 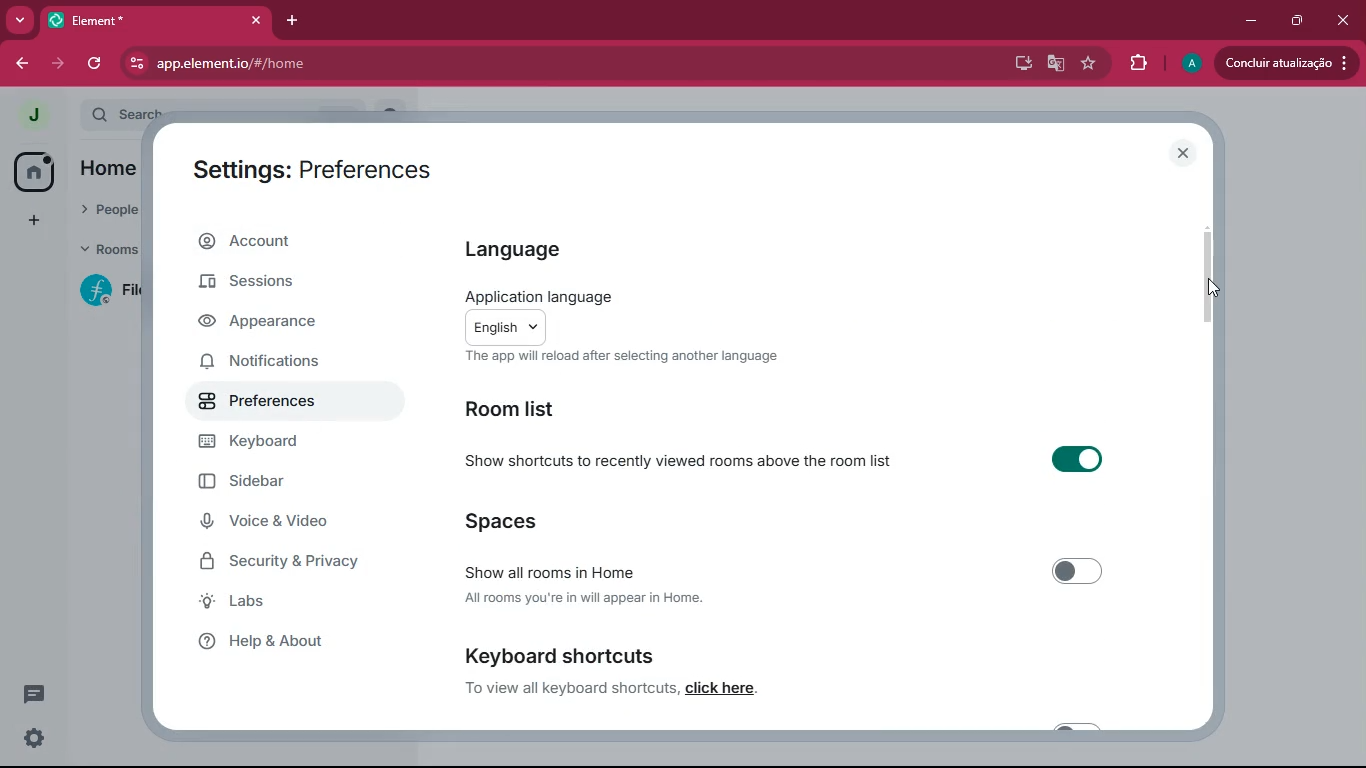 I want to click on f fil, so click(x=103, y=292).